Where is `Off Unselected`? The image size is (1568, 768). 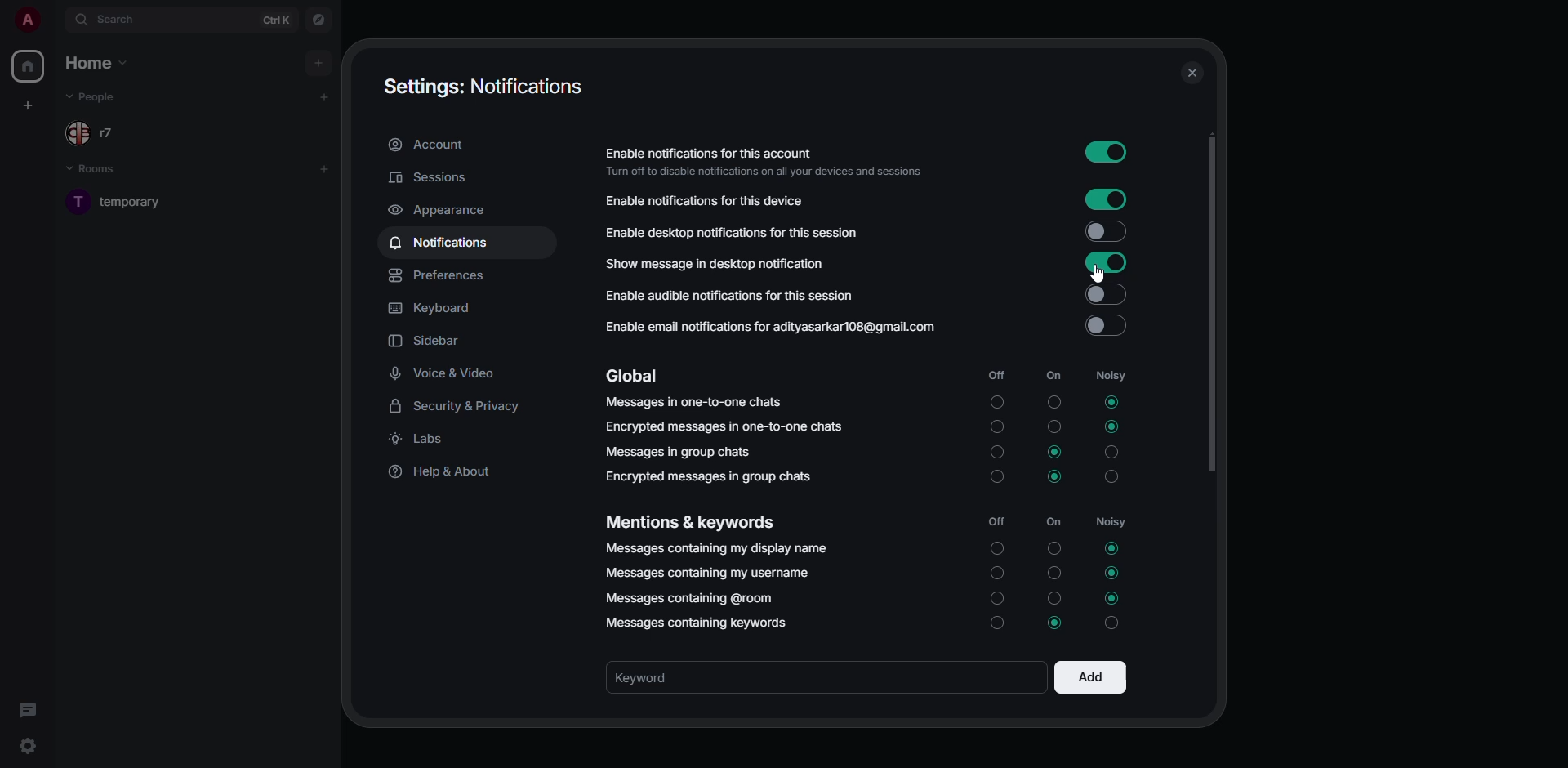
Off Unselected is located at coordinates (996, 572).